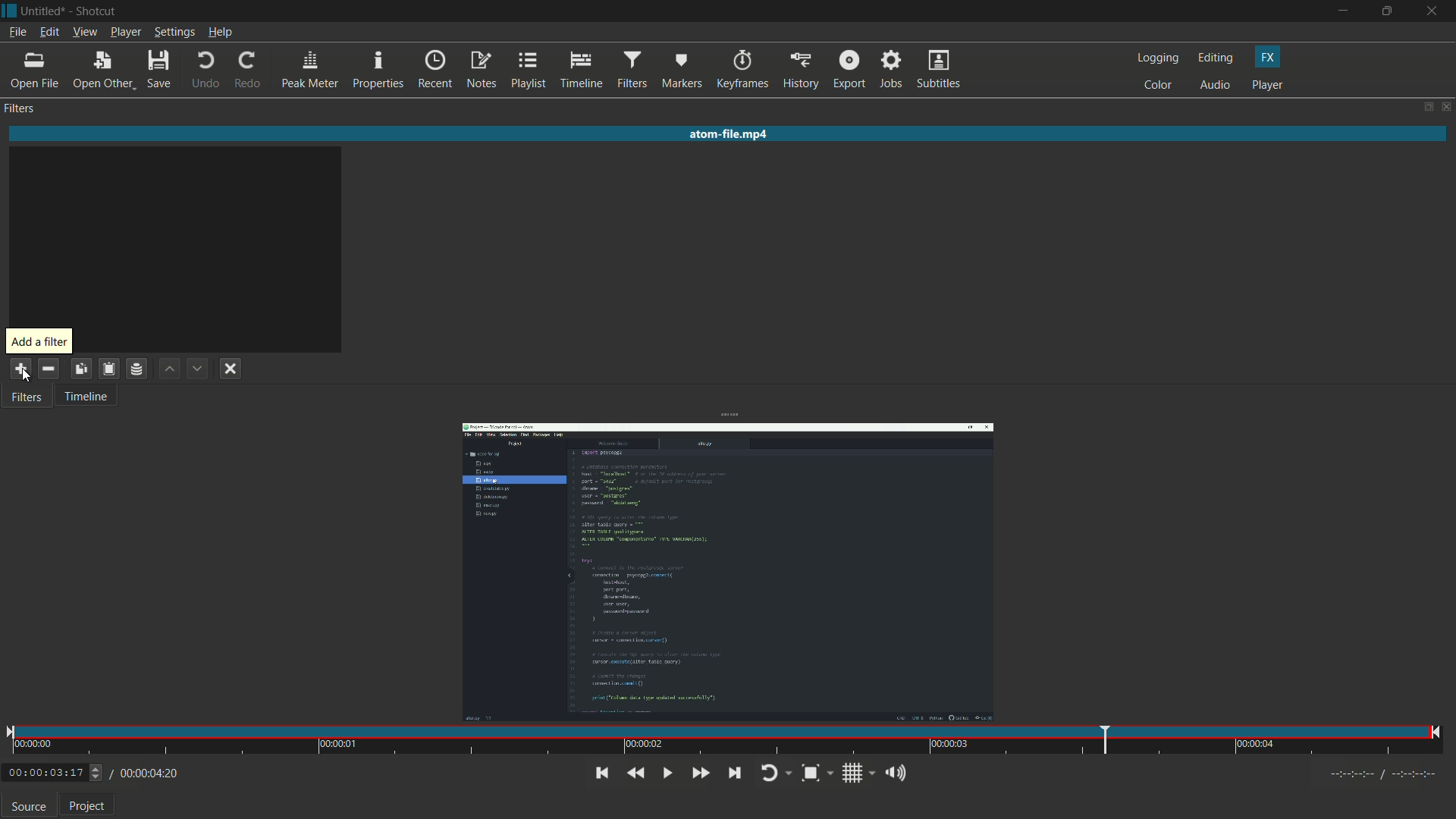 This screenshot has height=819, width=1456. Describe the element at coordinates (169, 369) in the screenshot. I see `move filter up` at that location.